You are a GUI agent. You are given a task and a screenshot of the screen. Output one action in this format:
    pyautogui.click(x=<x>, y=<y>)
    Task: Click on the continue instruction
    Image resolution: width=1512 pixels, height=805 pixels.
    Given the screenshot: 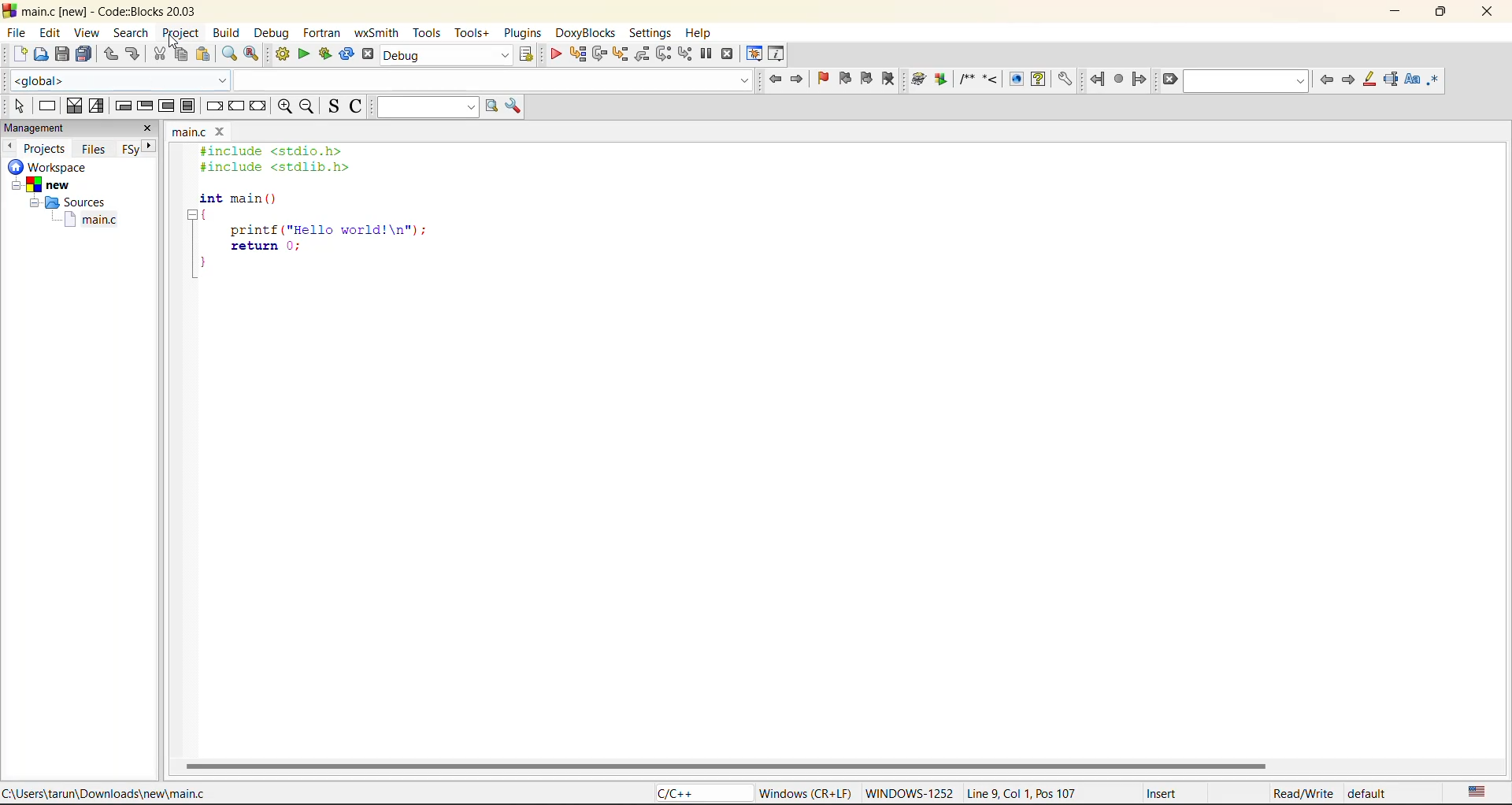 What is the action you would take?
    pyautogui.click(x=236, y=107)
    